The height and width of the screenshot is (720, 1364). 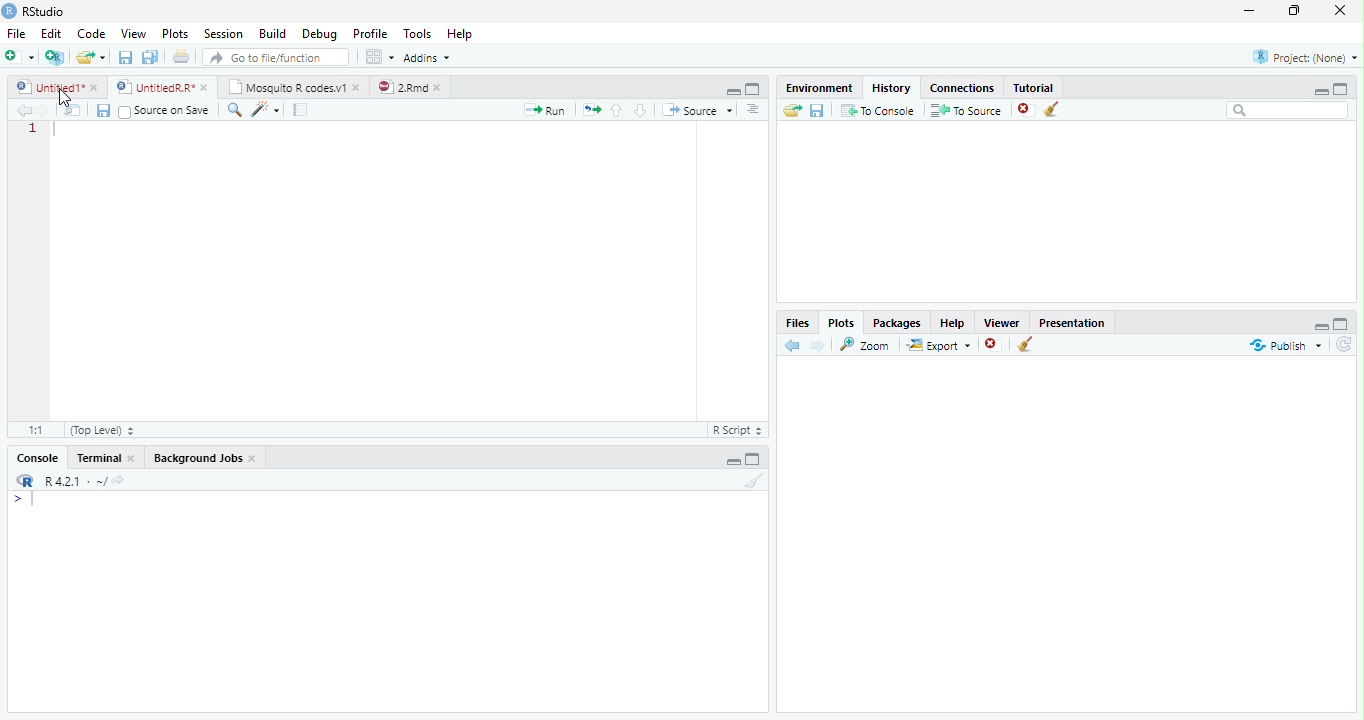 What do you see at coordinates (732, 89) in the screenshot?
I see `` at bounding box center [732, 89].